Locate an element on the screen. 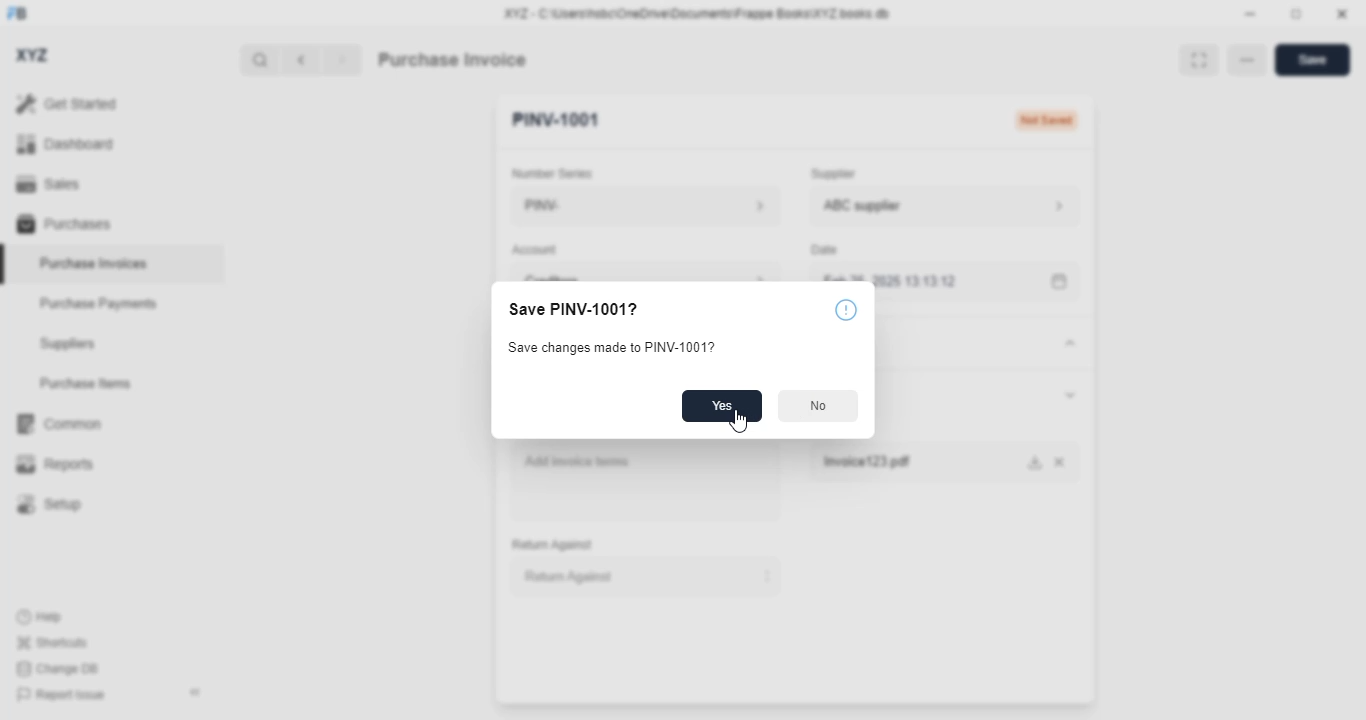 This screenshot has height=720, width=1366. report issue is located at coordinates (60, 695).